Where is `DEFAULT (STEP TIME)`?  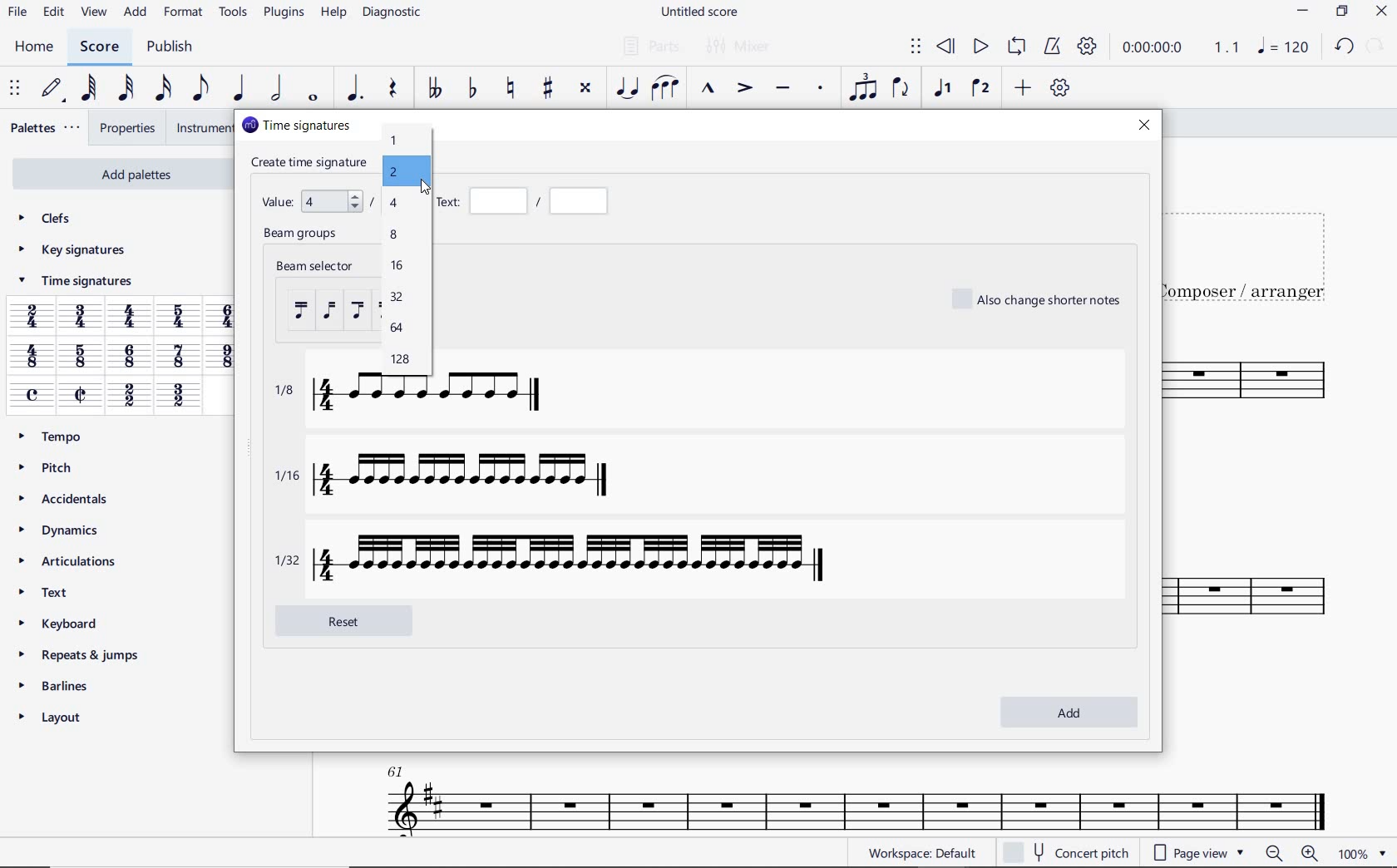
DEFAULT (STEP TIME) is located at coordinates (52, 89).